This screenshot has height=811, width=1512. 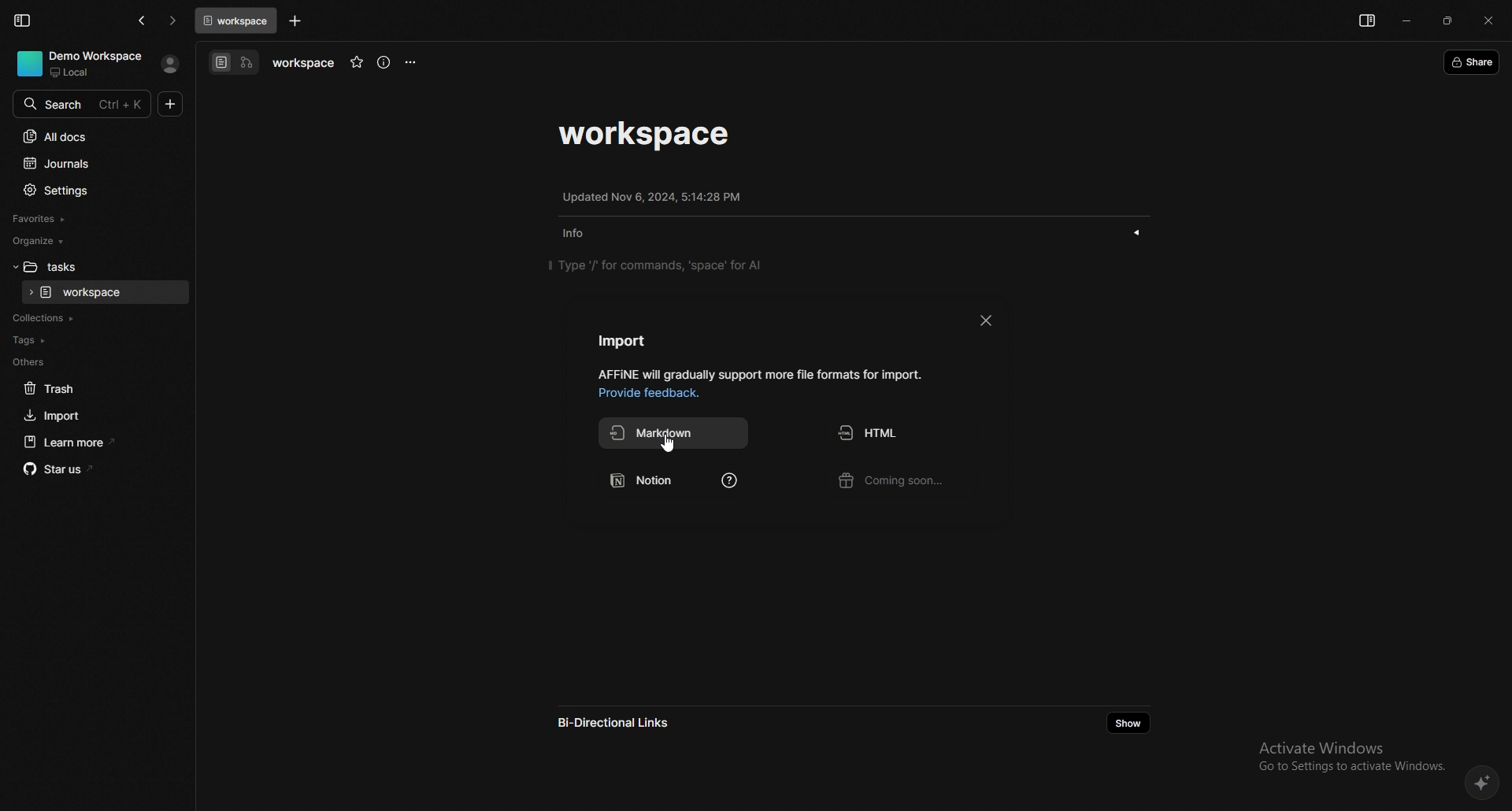 What do you see at coordinates (904, 433) in the screenshot?
I see `html` at bounding box center [904, 433].